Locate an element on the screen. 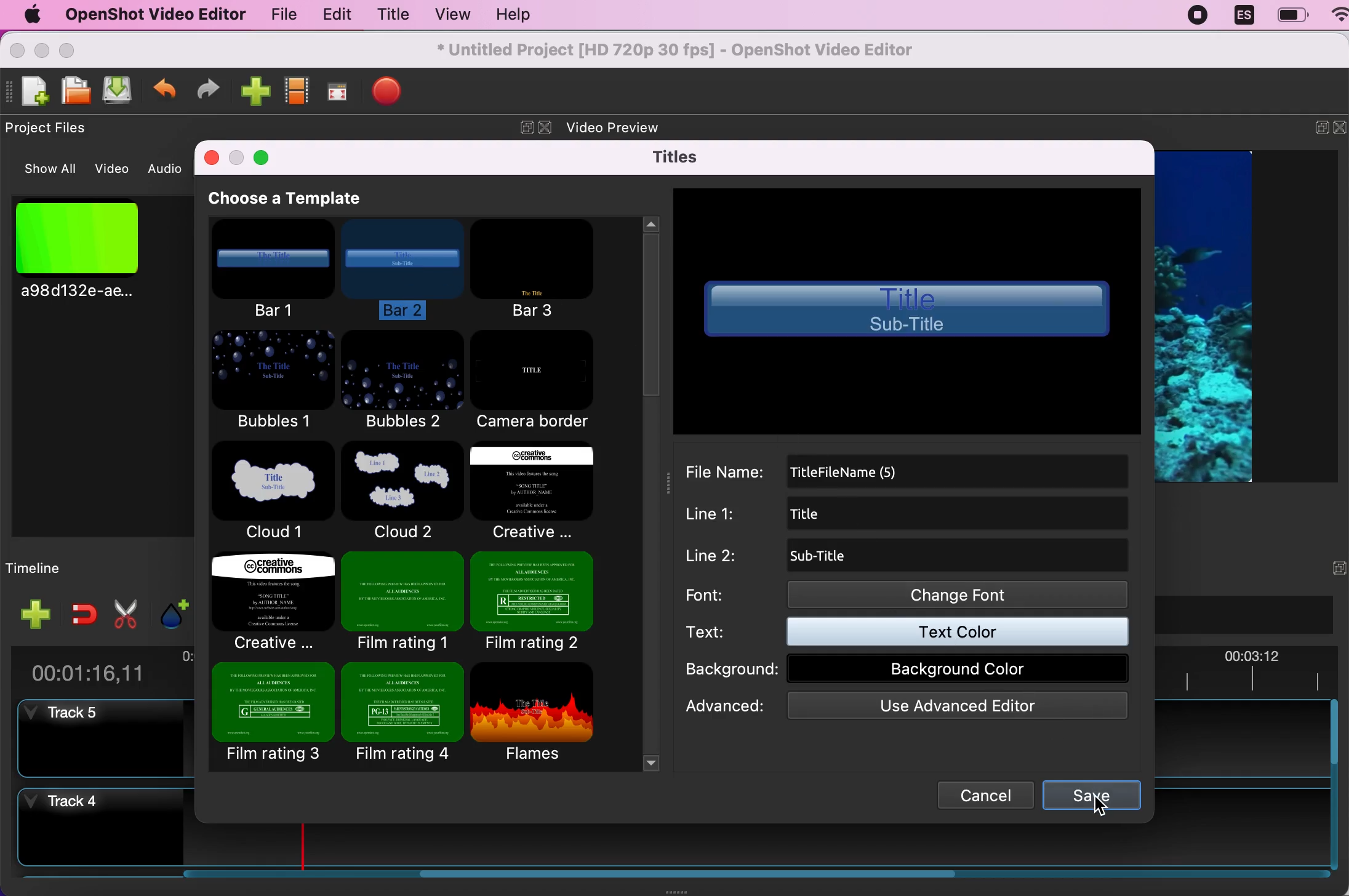 The height and width of the screenshot is (896, 1349). film eating 2 is located at coordinates (546, 599).